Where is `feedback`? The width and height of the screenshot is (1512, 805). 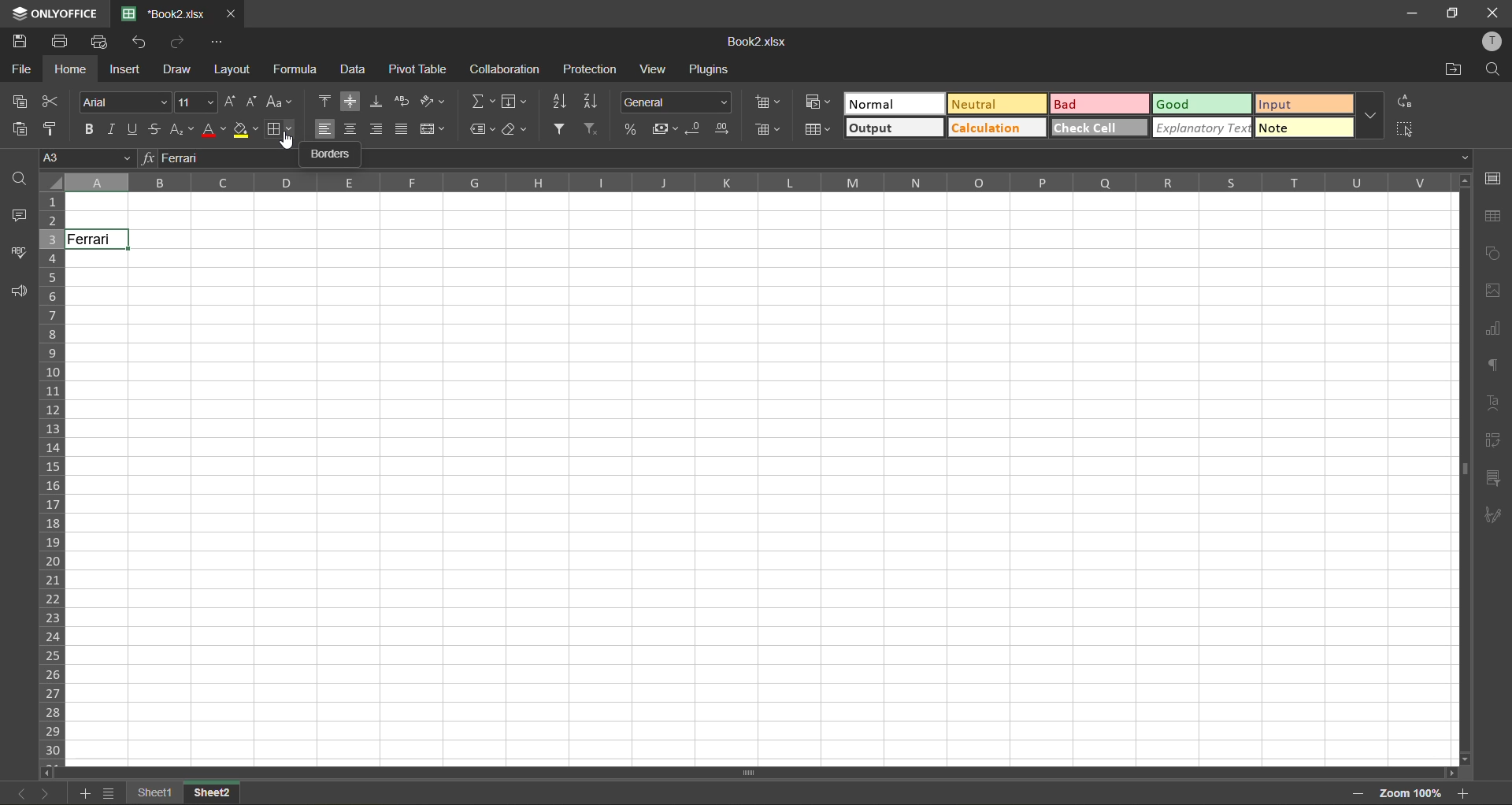
feedback is located at coordinates (18, 292).